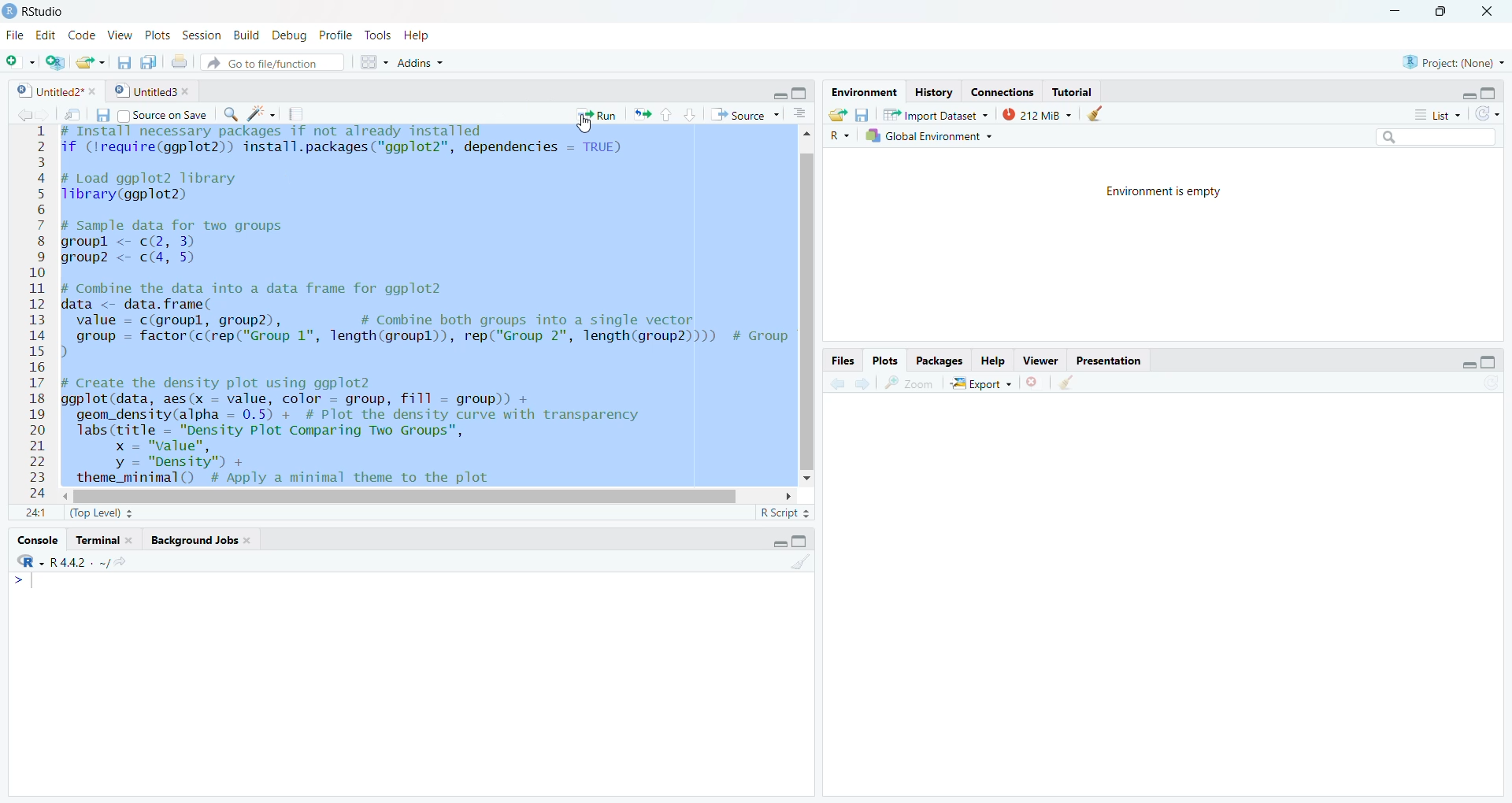 The height and width of the screenshot is (803, 1512). Describe the element at coordinates (999, 90) in the screenshot. I see `connections` at that location.